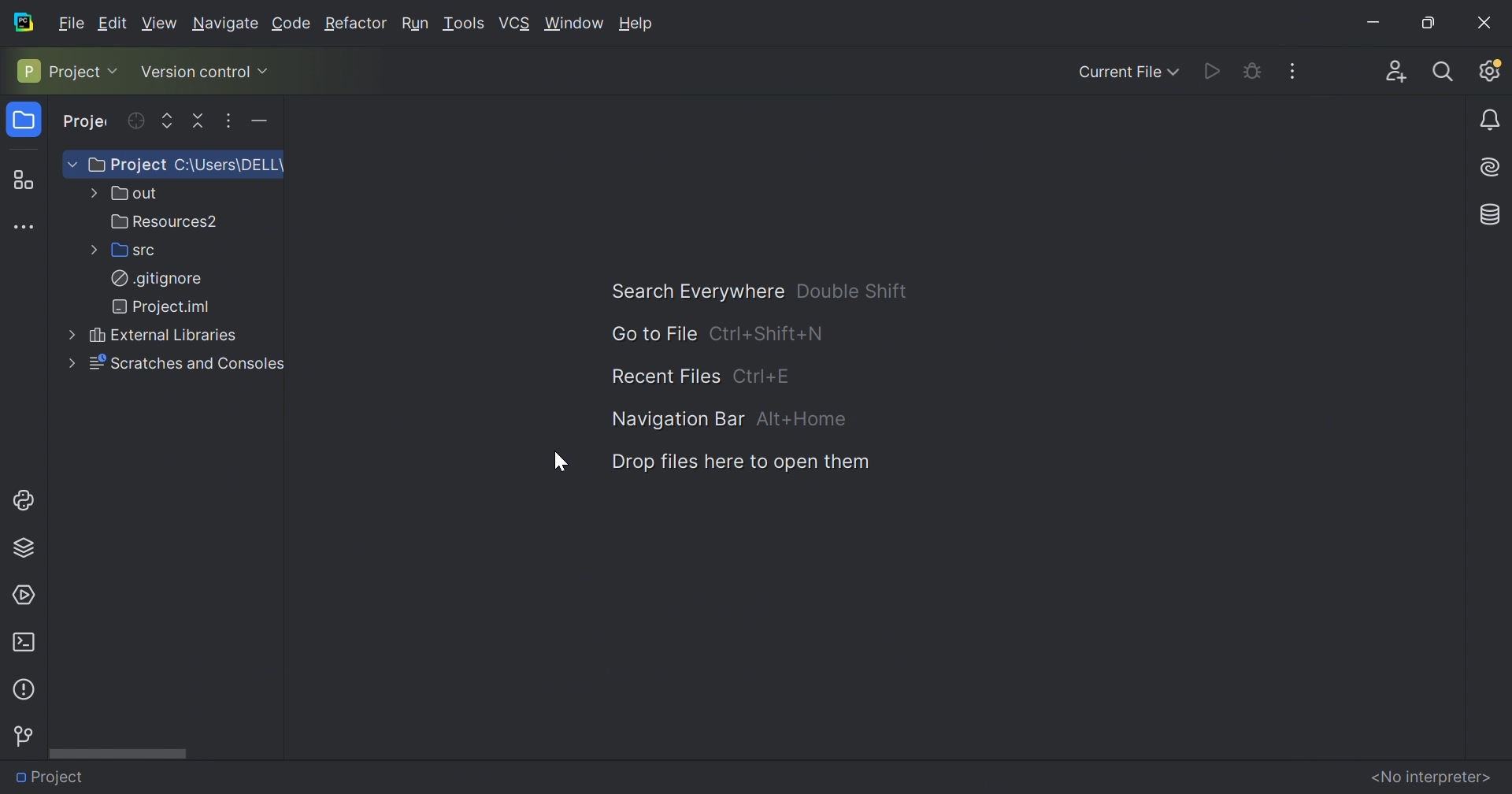 The width and height of the screenshot is (1512, 794). What do you see at coordinates (1213, 70) in the screenshot?
I see `Run PythonProgram.py` at bounding box center [1213, 70].